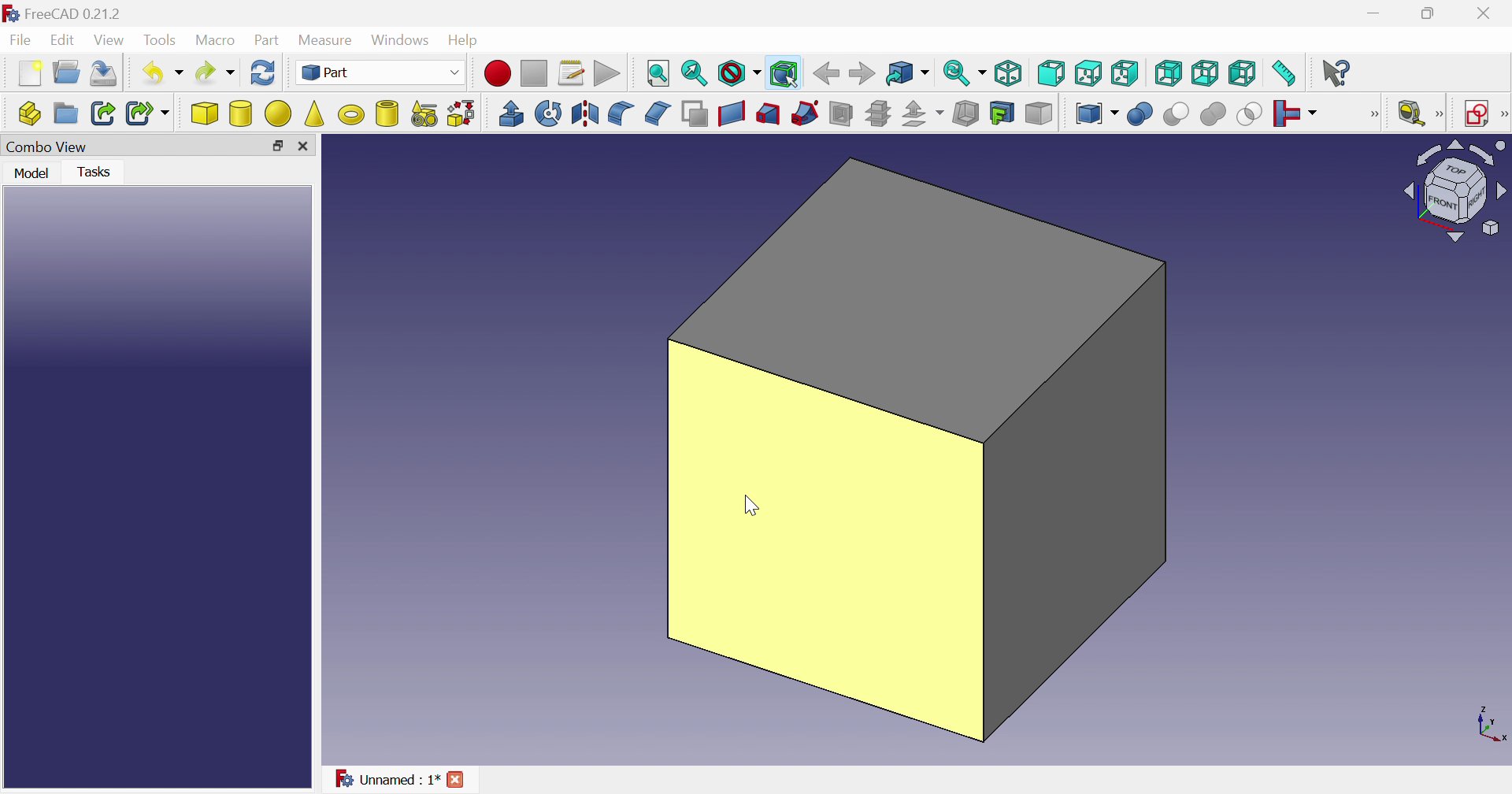 The width and height of the screenshot is (1512, 794). I want to click on Create group, so click(66, 114).